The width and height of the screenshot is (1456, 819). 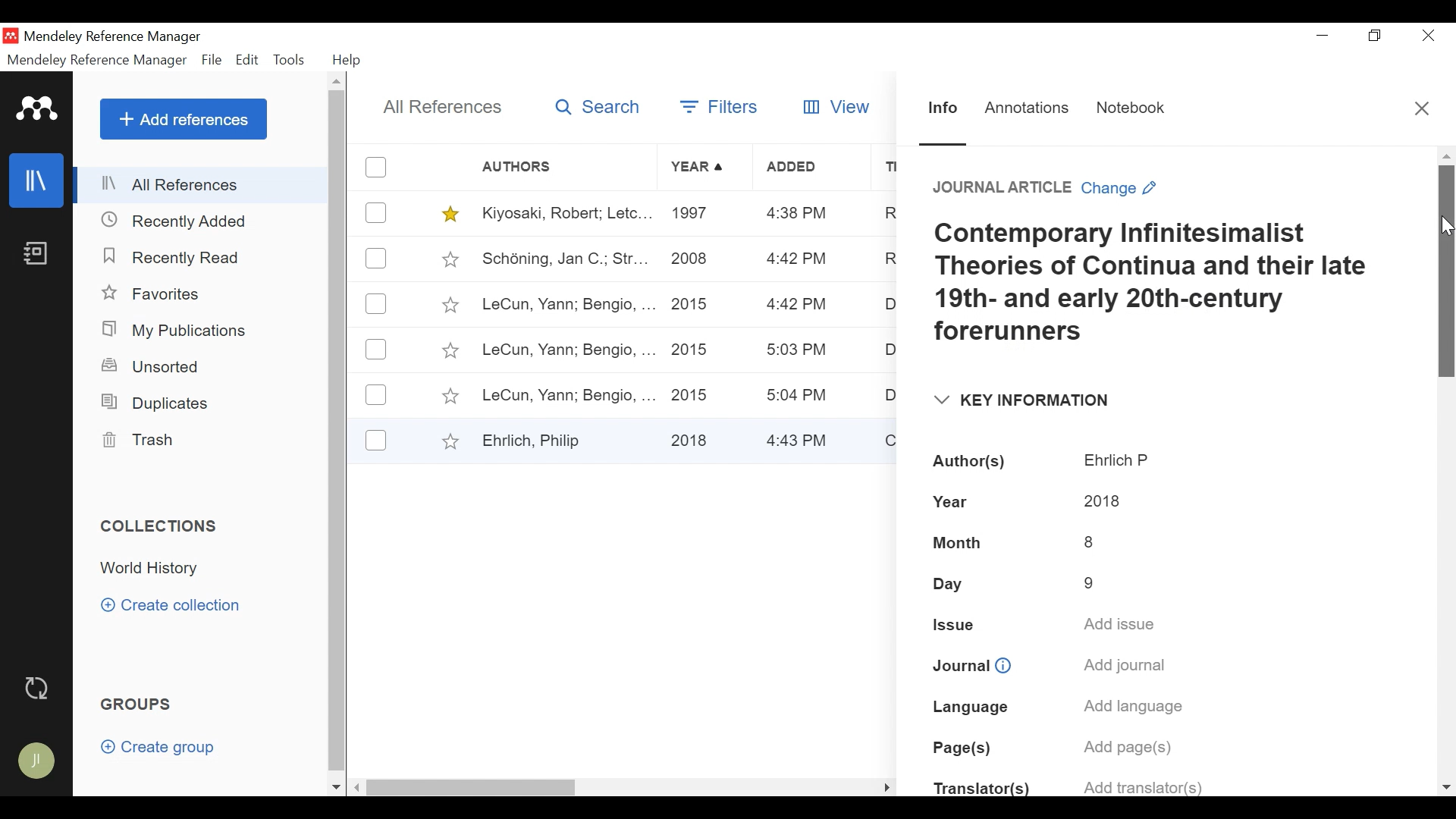 I want to click on 2018, so click(x=693, y=438).